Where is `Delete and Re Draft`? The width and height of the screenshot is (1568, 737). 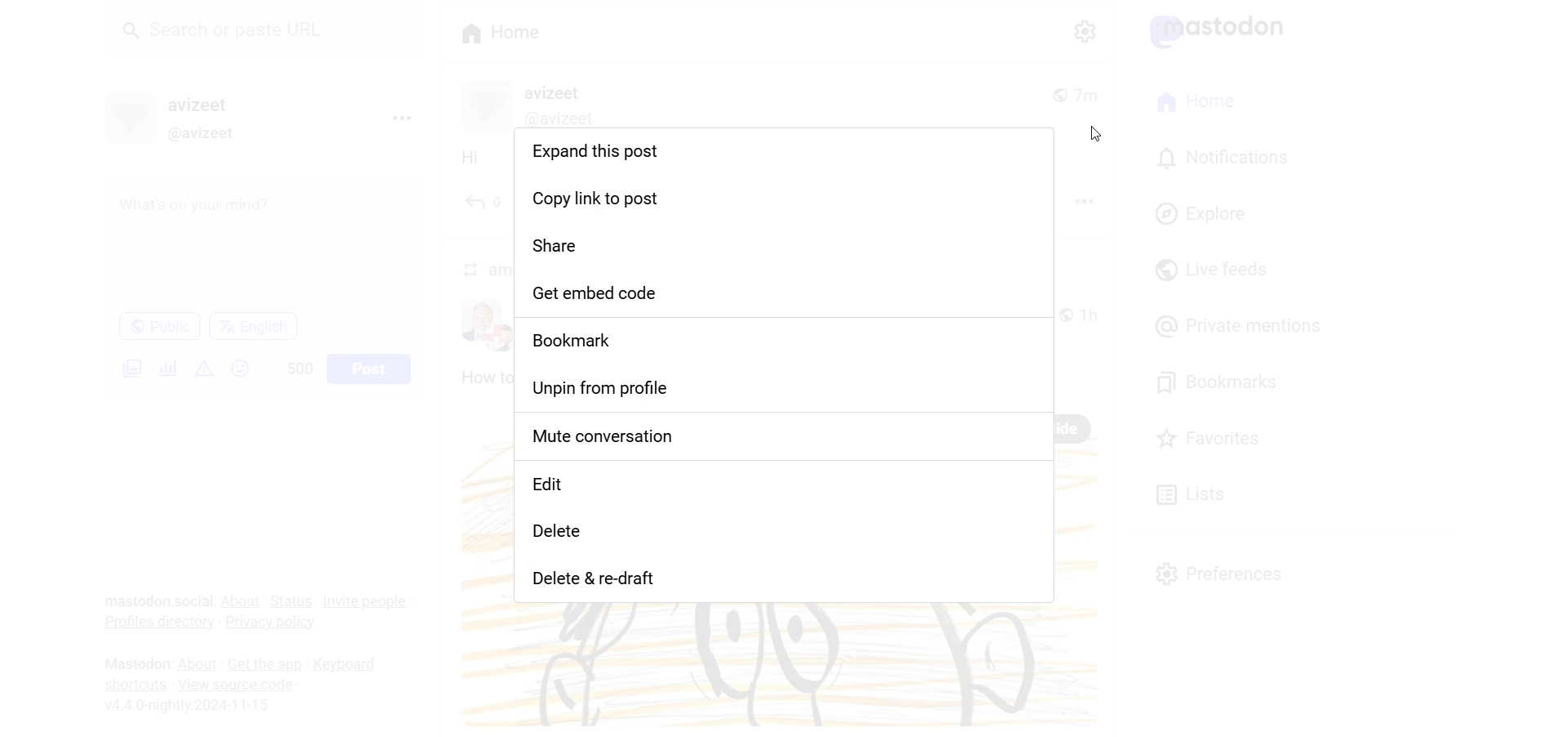 Delete and Re Draft is located at coordinates (782, 582).